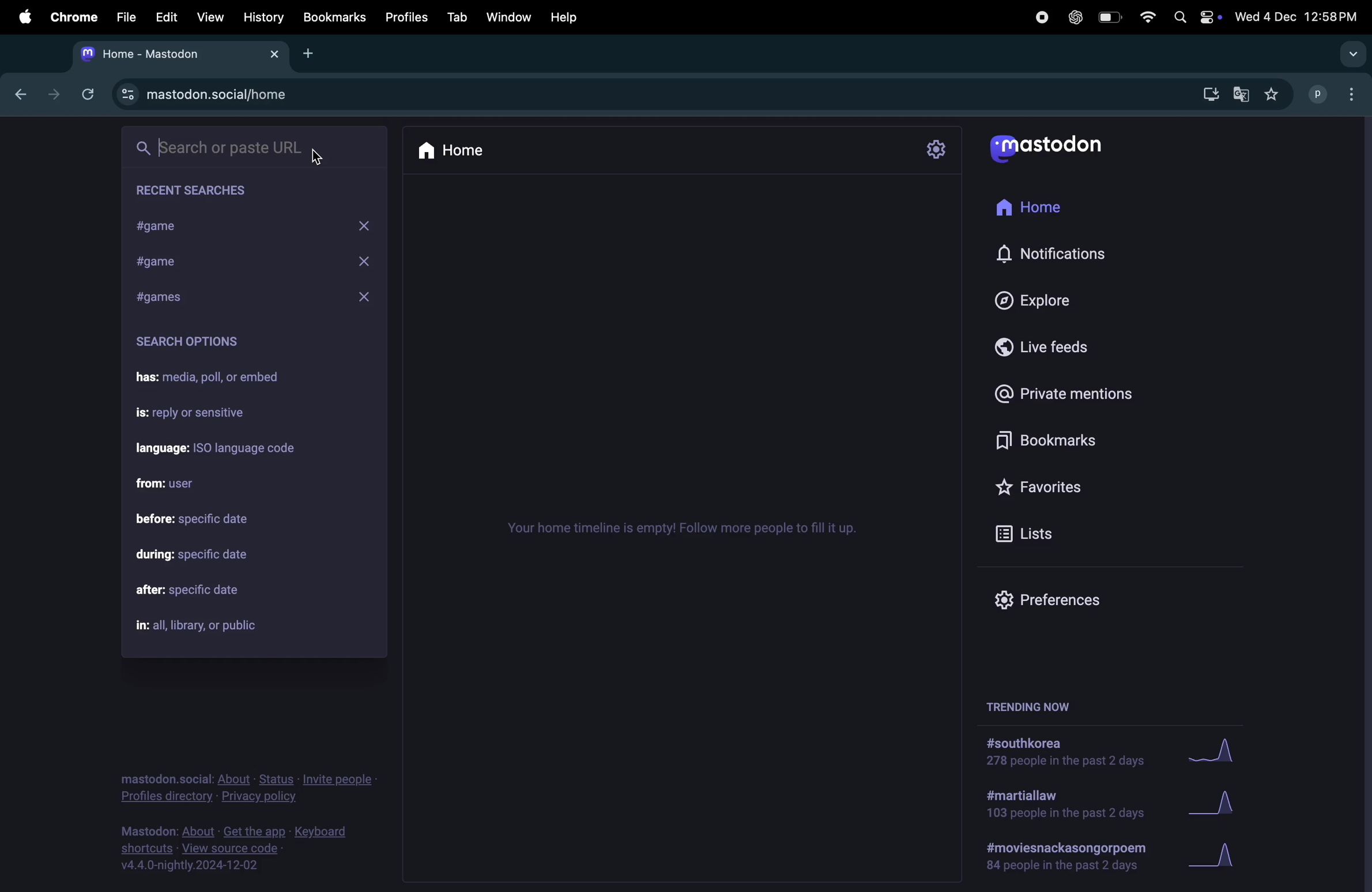 The height and width of the screenshot is (892, 1372). I want to click on language iso, so click(225, 449).